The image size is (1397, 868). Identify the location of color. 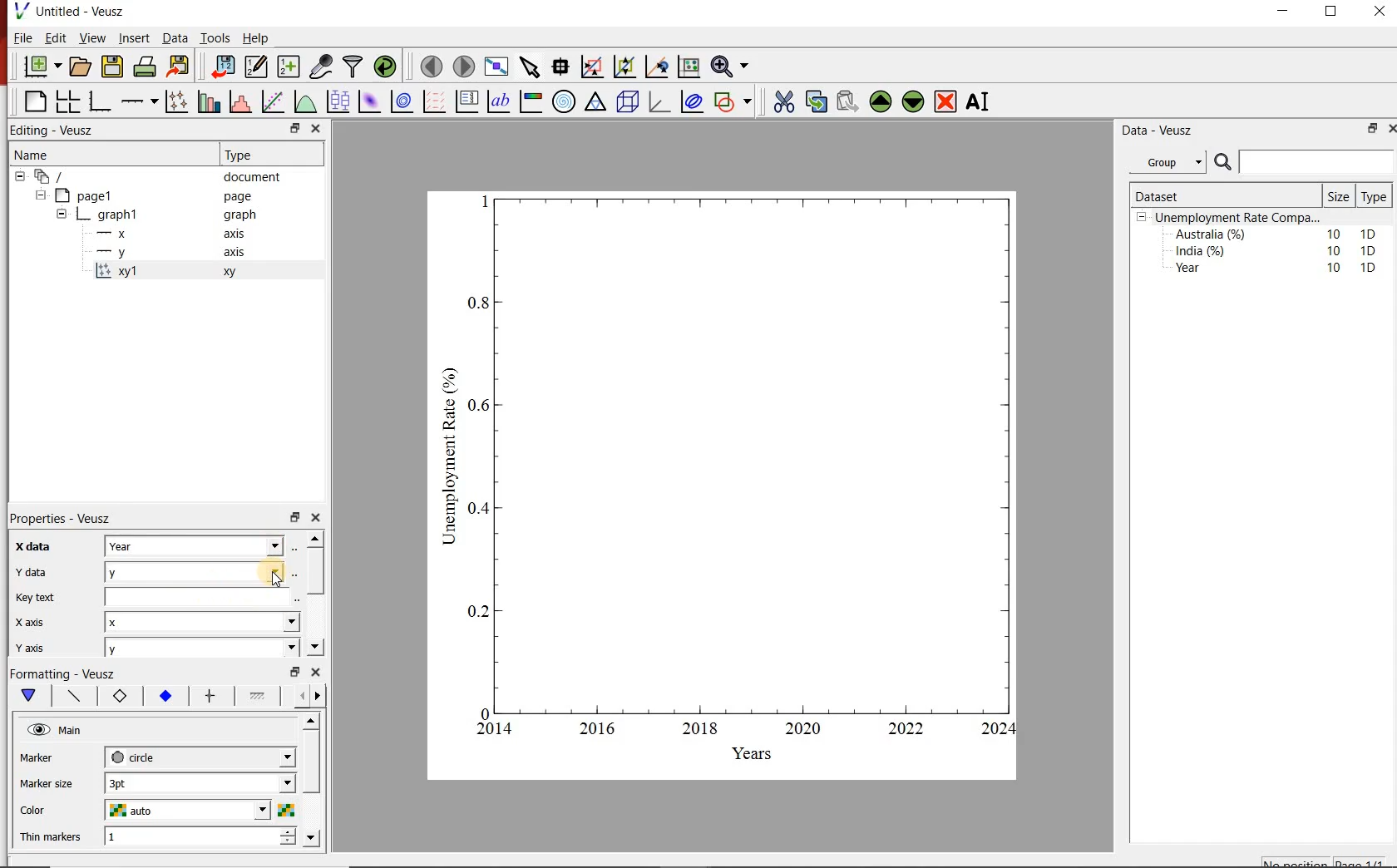
(46, 811).